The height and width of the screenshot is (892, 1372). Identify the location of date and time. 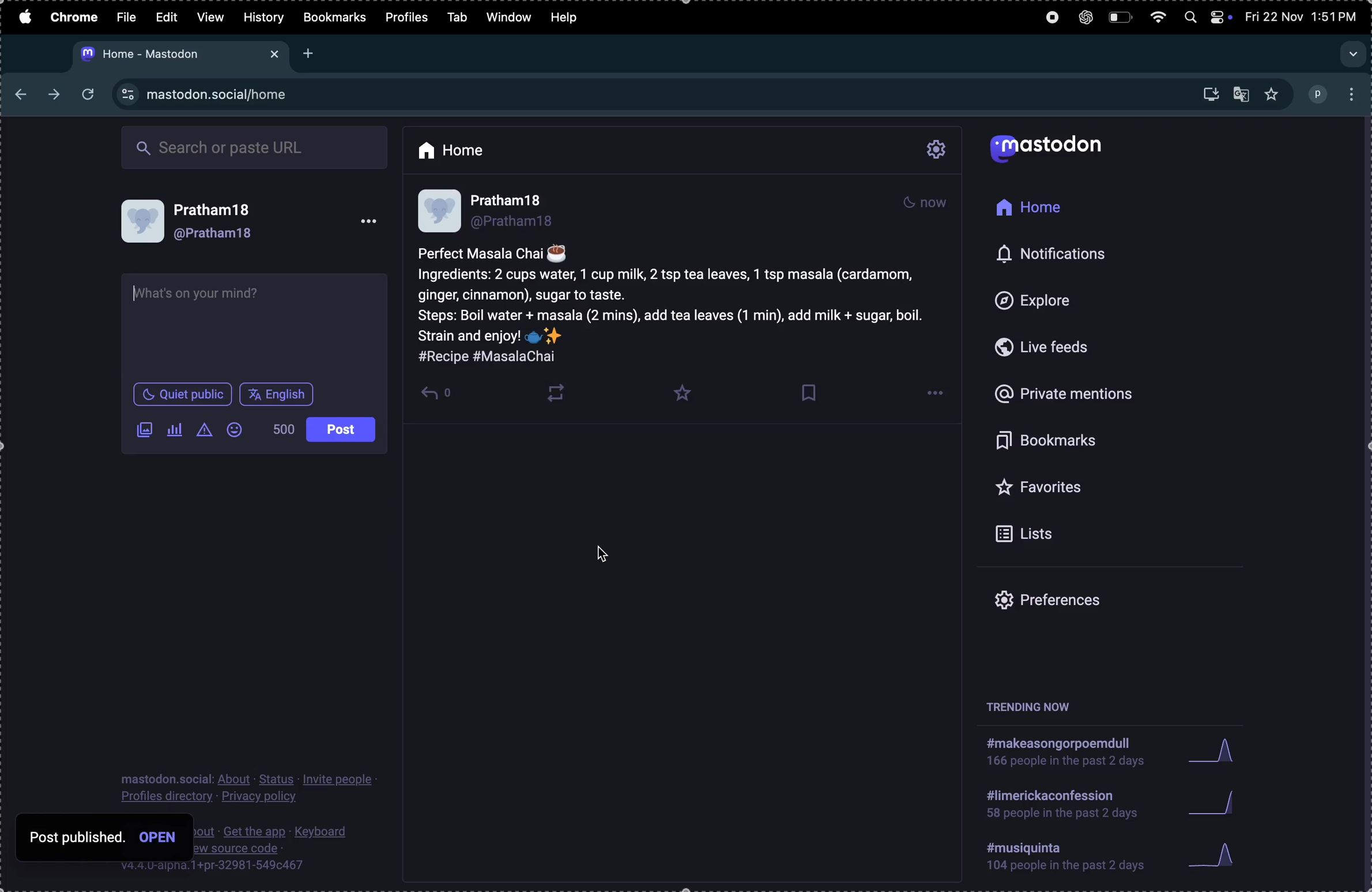
(1301, 16).